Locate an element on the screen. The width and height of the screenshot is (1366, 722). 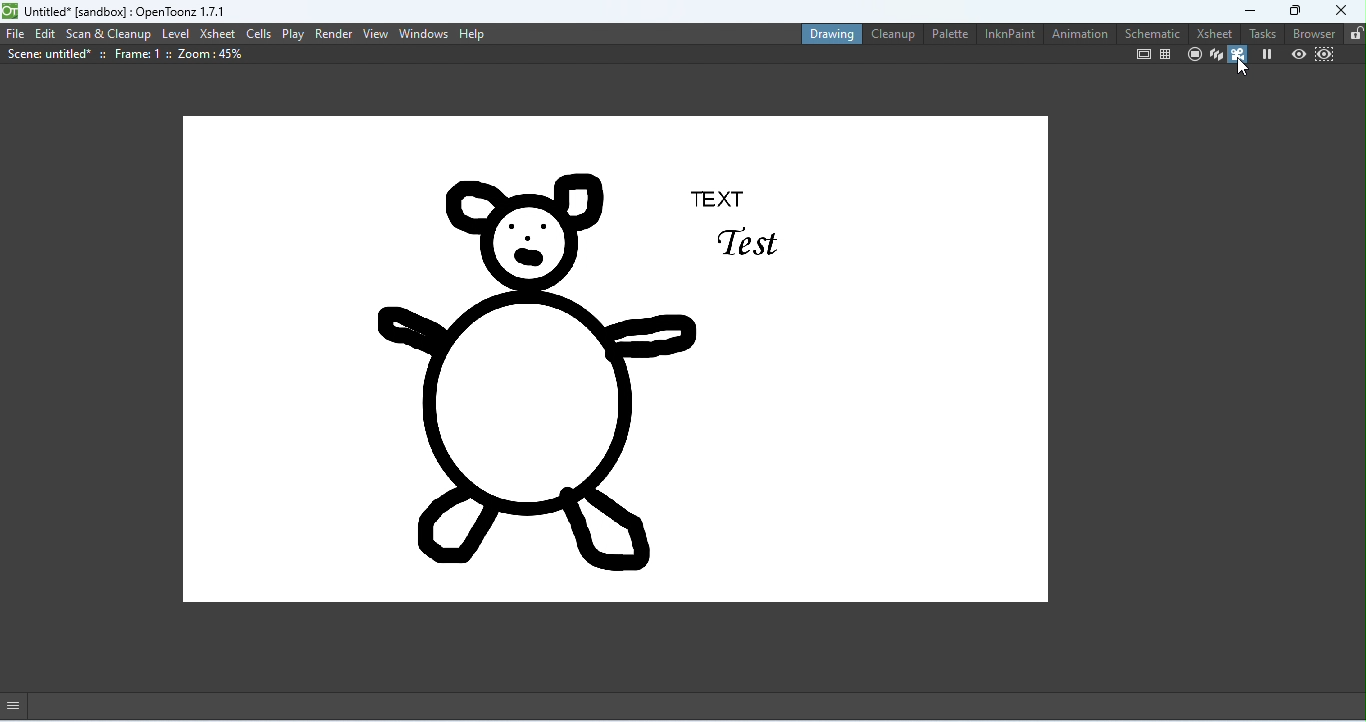
minimize is located at coordinates (1236, 10).